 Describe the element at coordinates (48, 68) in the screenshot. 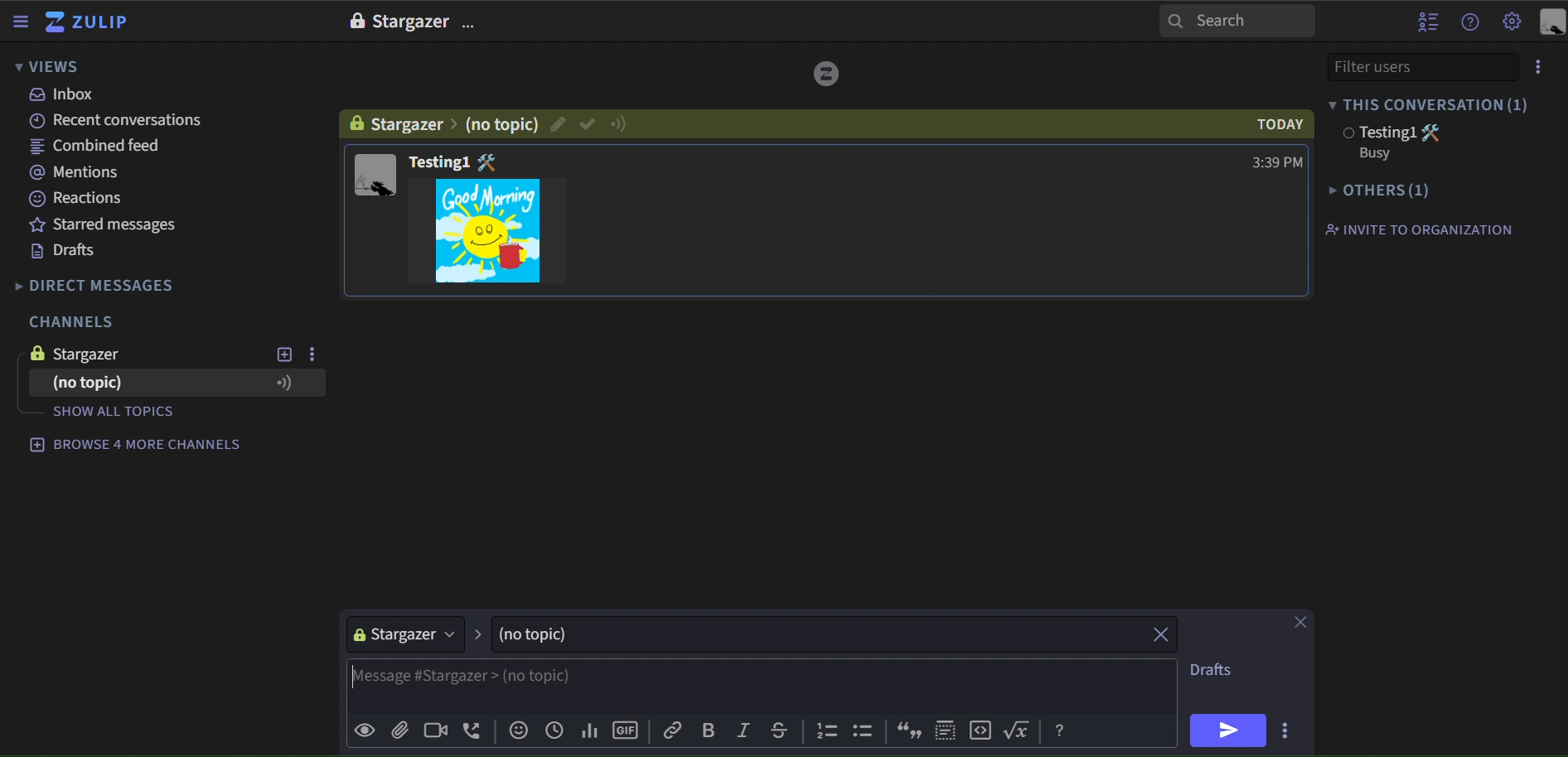

I see `views` at that location.